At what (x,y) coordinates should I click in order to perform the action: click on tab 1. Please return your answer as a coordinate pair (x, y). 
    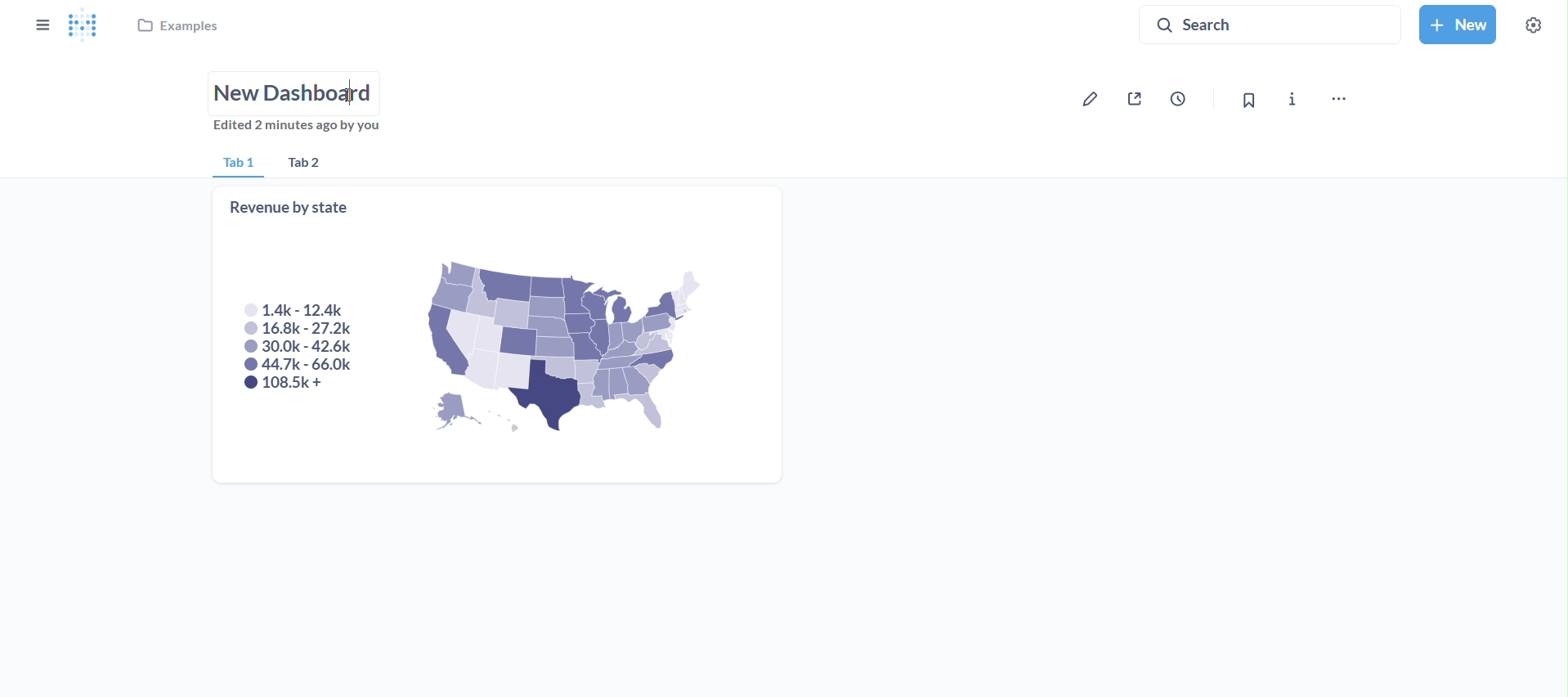
    Looking at the image, I should click on (237, 164).